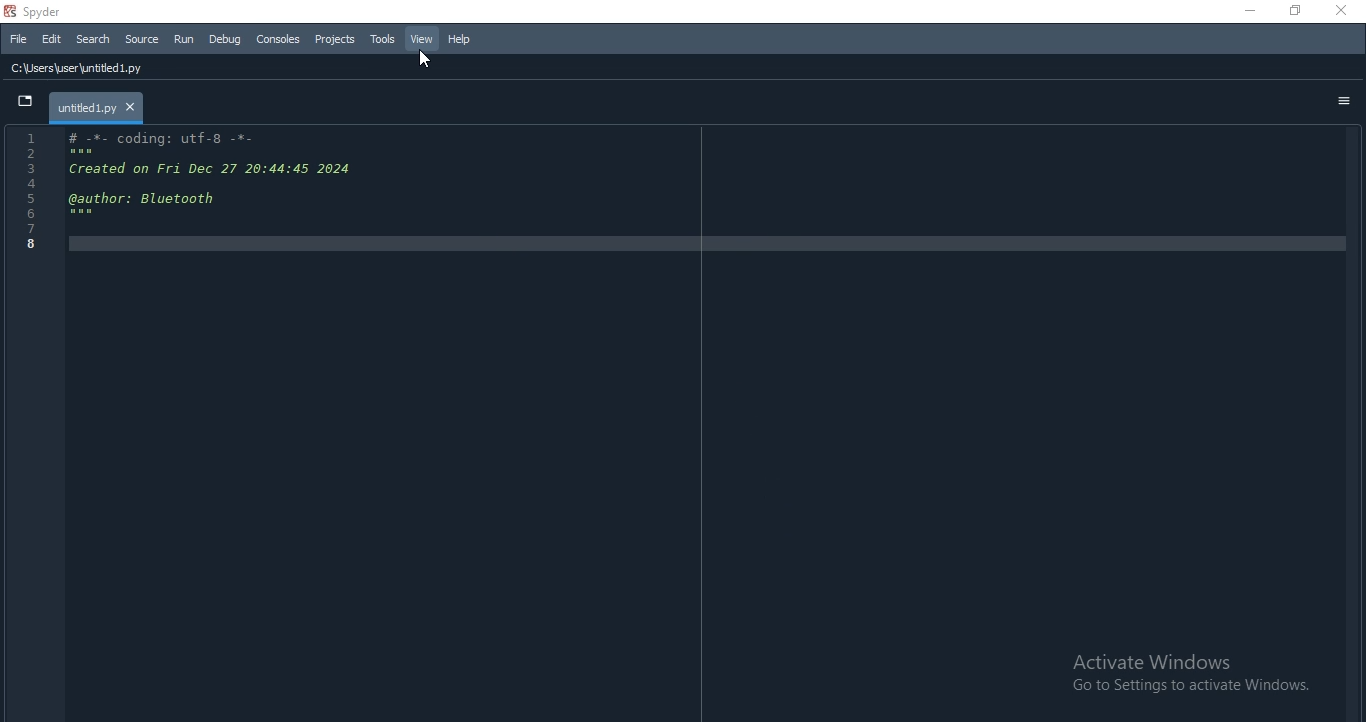 The height and width of the screenshot is (722, 1366). Describe the element at coordinates (1344, 102) in the screenshot. I see `options` at that location.